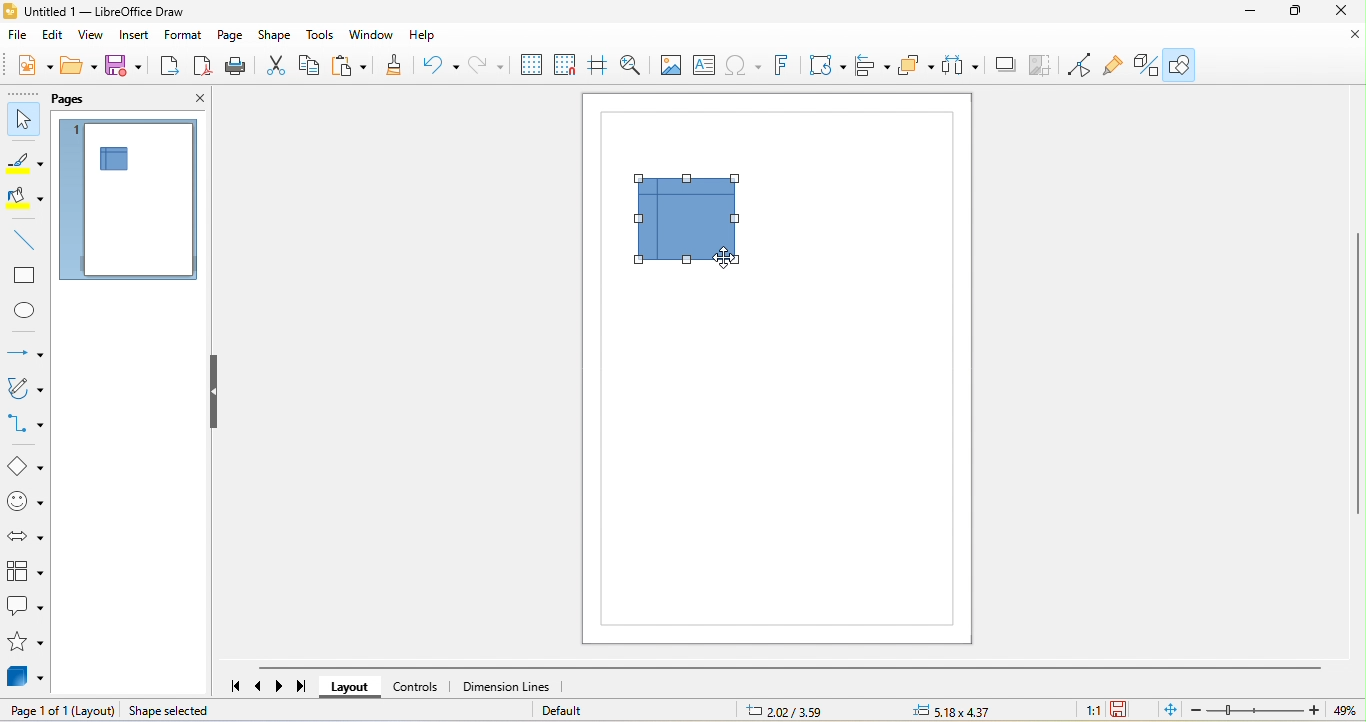 The image size is (1366, 722). Describe the element at coordinates (601, 66) in the screenshot. I see `helplines while moving` at that location.